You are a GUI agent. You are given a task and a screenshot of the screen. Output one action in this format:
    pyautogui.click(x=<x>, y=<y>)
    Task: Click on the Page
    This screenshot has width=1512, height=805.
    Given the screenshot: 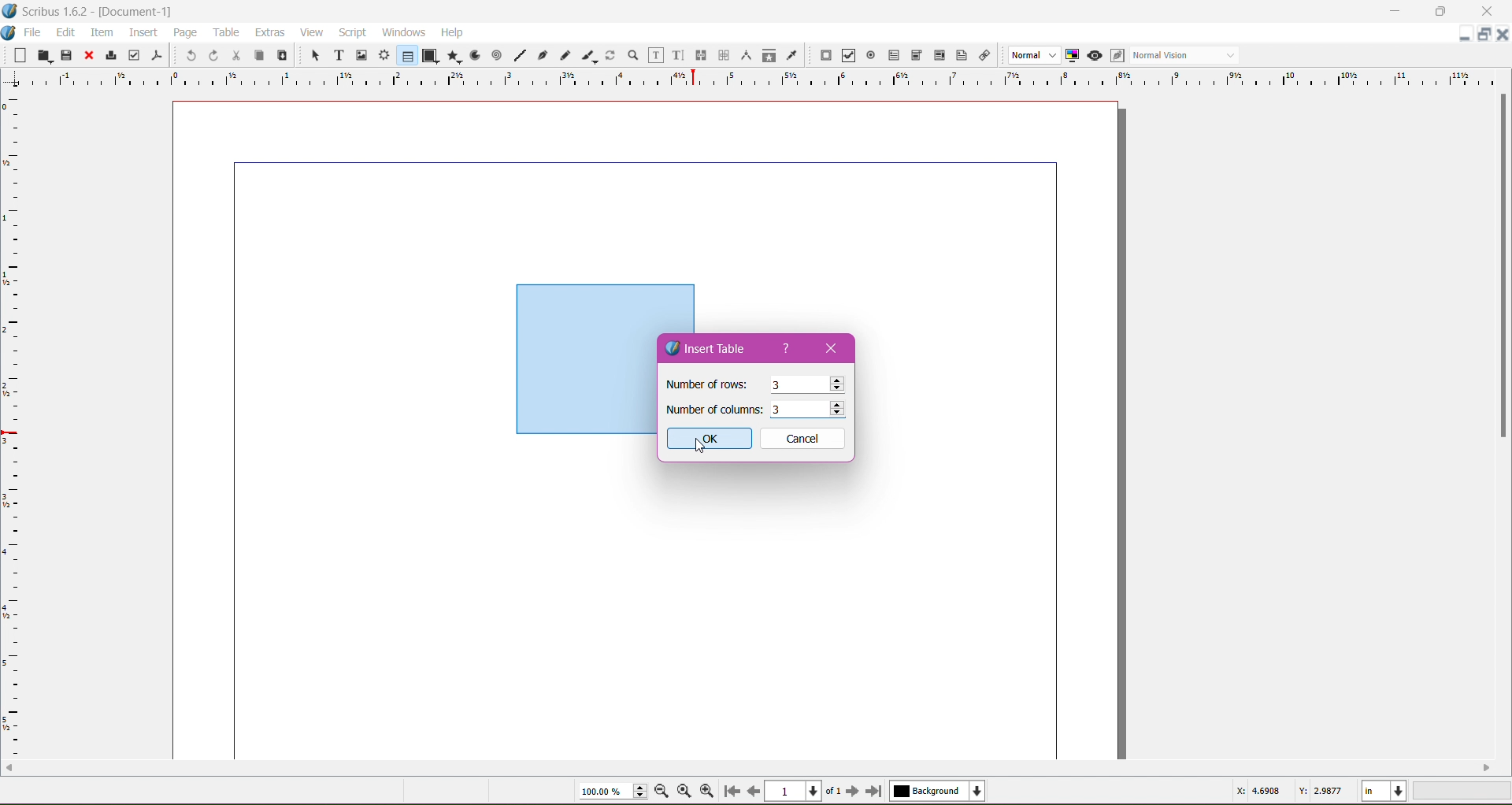 What is the action you would take?
    pyautogui.click(x=183, y=32)
    